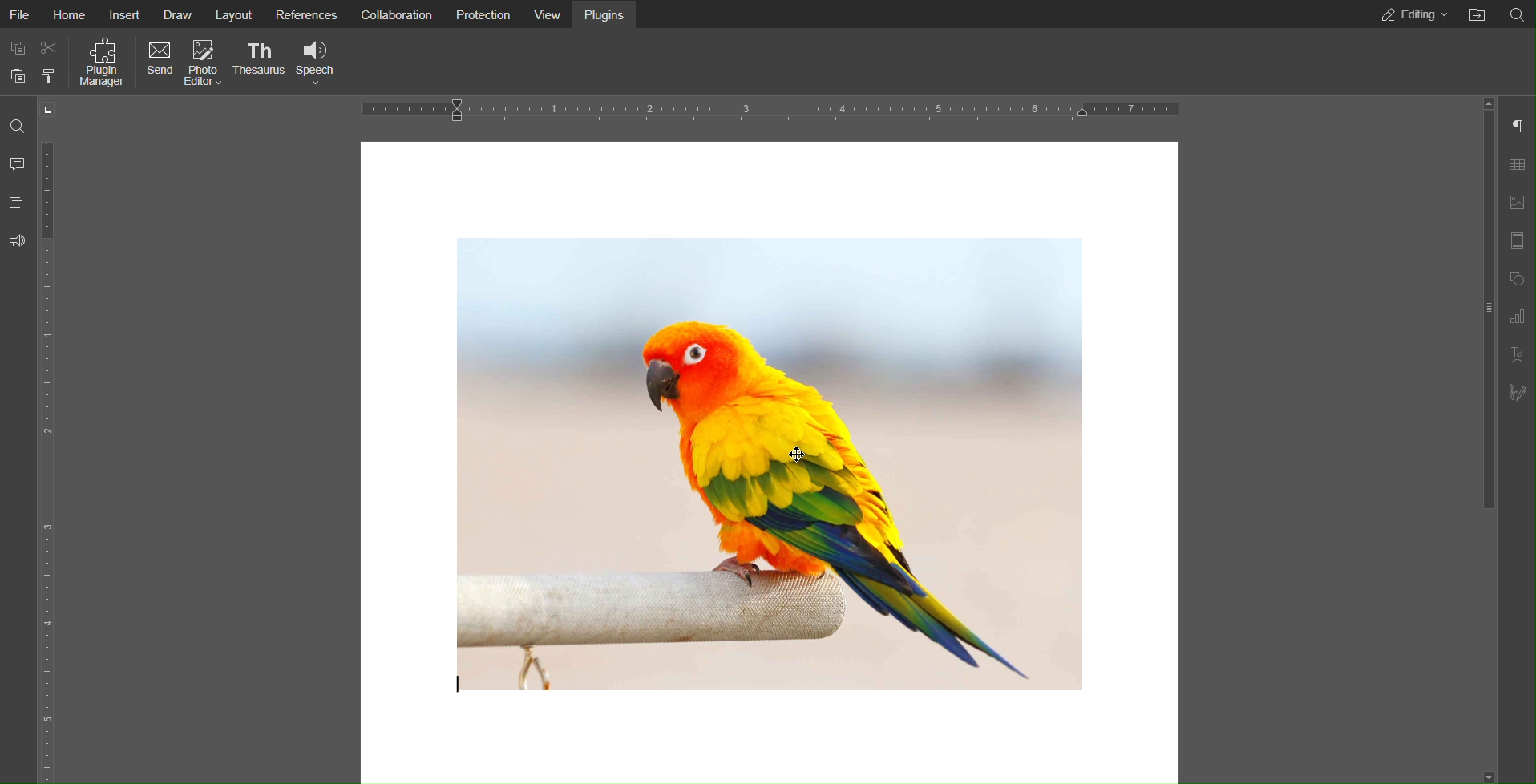  I want to click on Feedback and Support, so click(18, 240).